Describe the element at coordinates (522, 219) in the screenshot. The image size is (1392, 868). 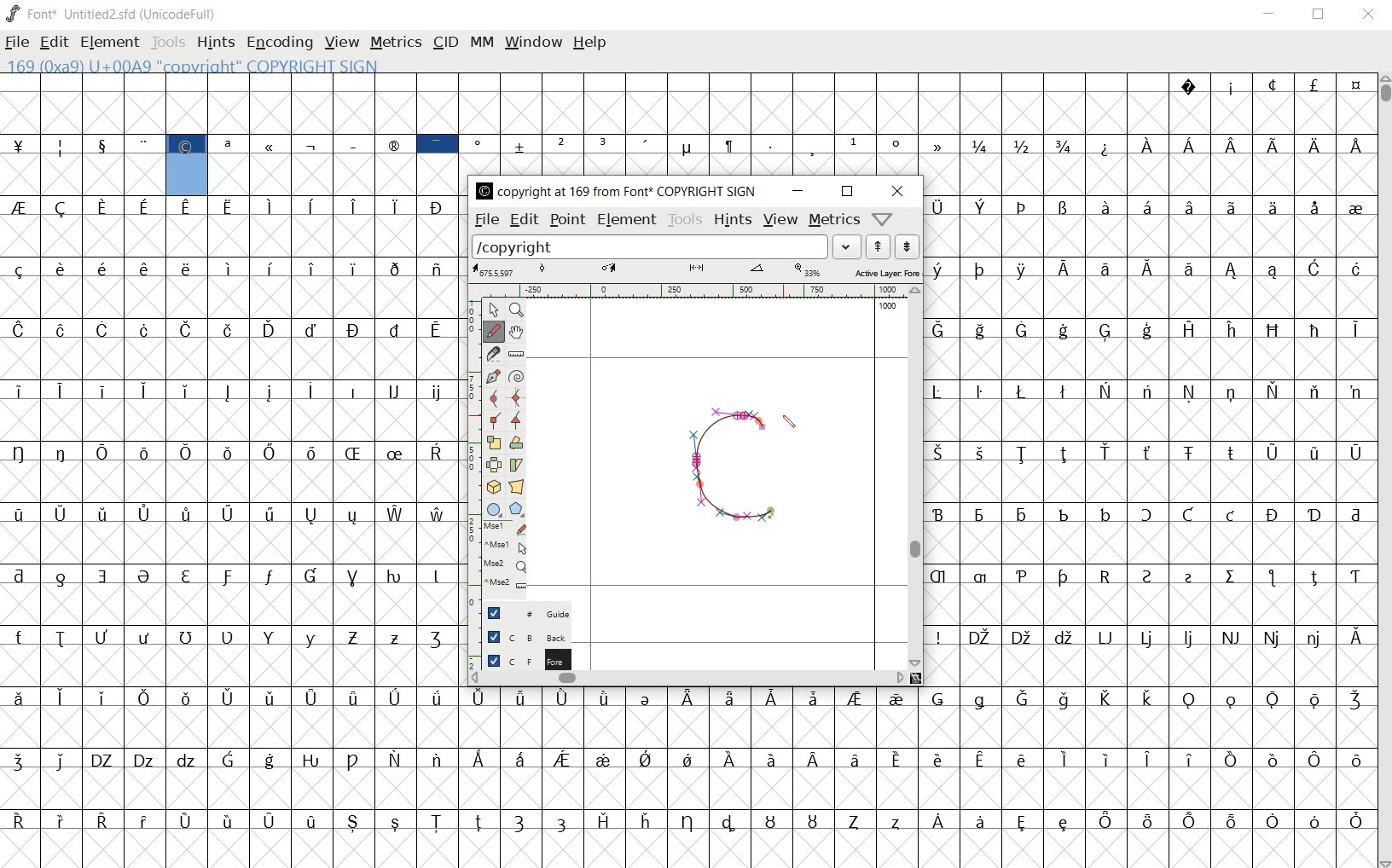
I see `edit` at that location.